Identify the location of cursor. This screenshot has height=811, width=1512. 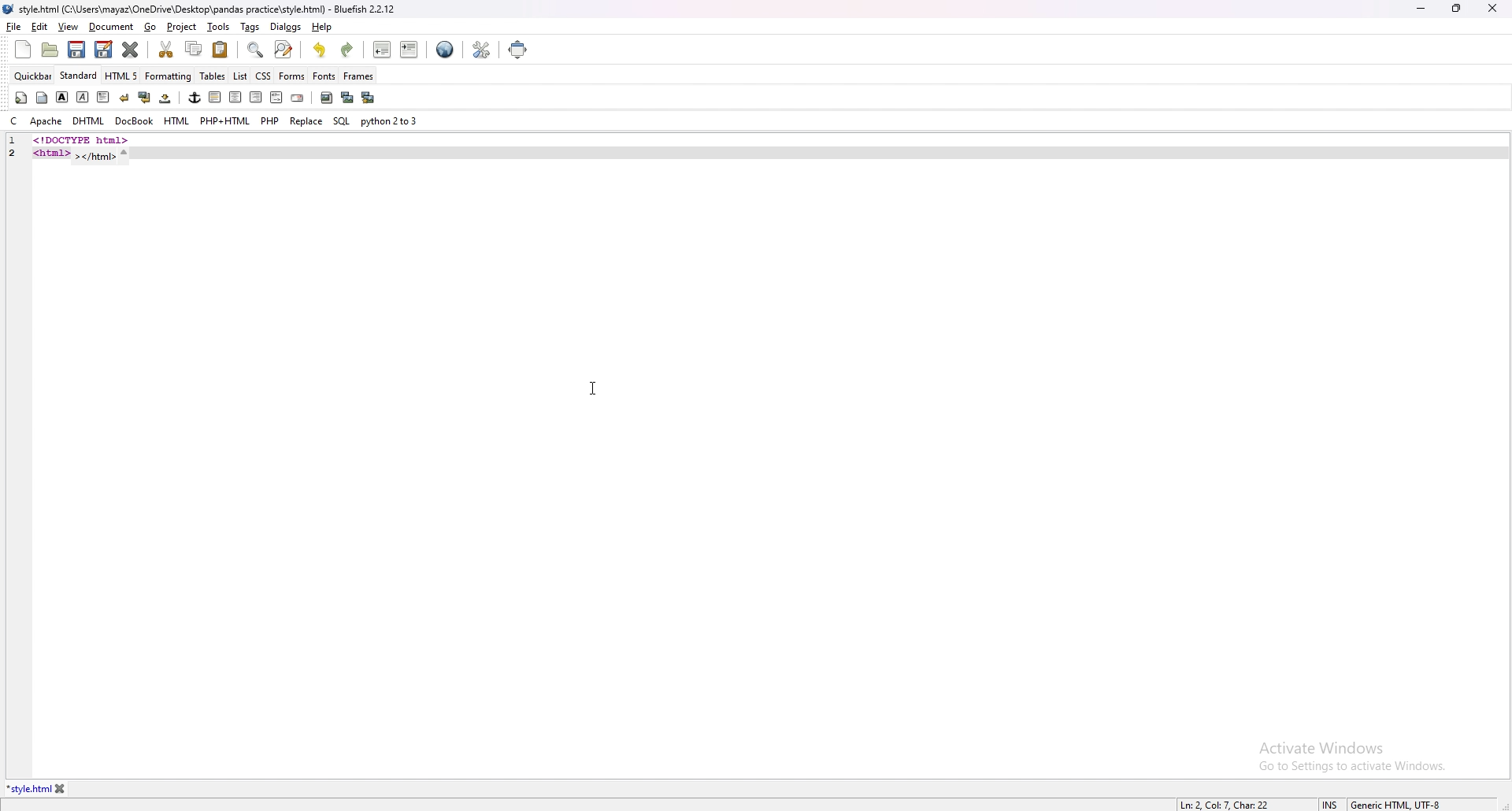
(593, 387).